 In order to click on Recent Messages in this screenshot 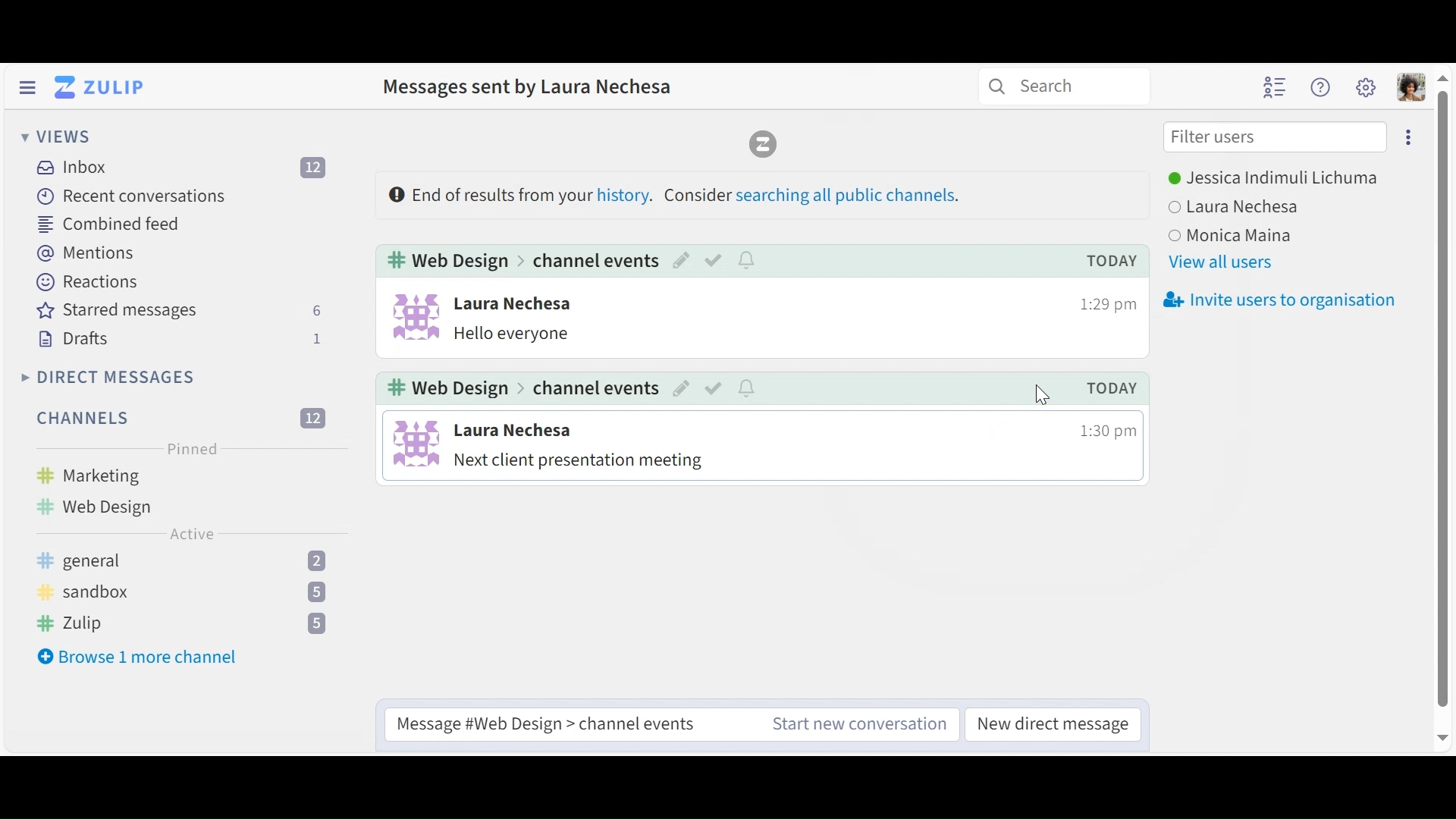, I will do `click(128, 198)`.